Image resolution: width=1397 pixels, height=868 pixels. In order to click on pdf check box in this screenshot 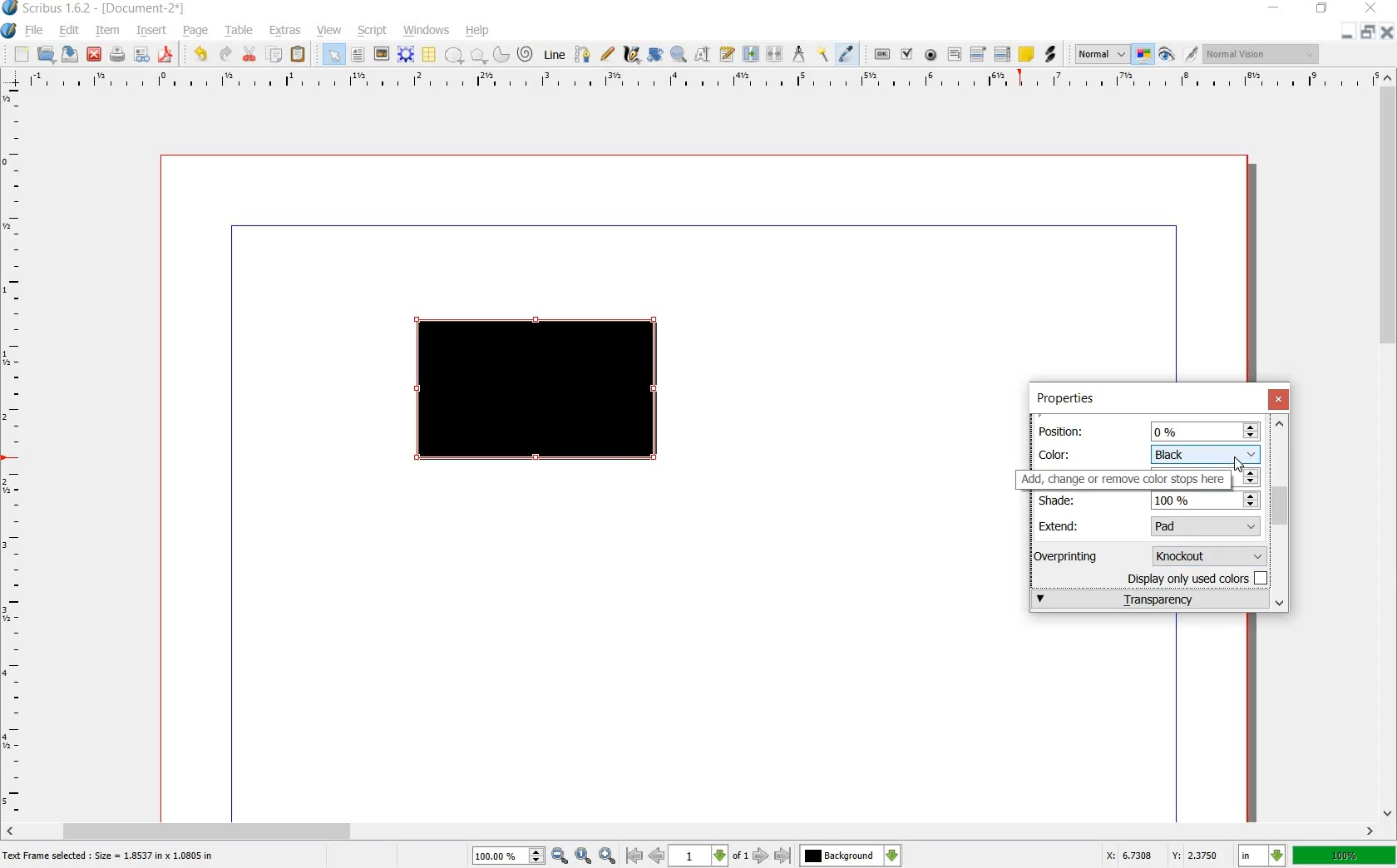, I will do `click(906, 54)`.